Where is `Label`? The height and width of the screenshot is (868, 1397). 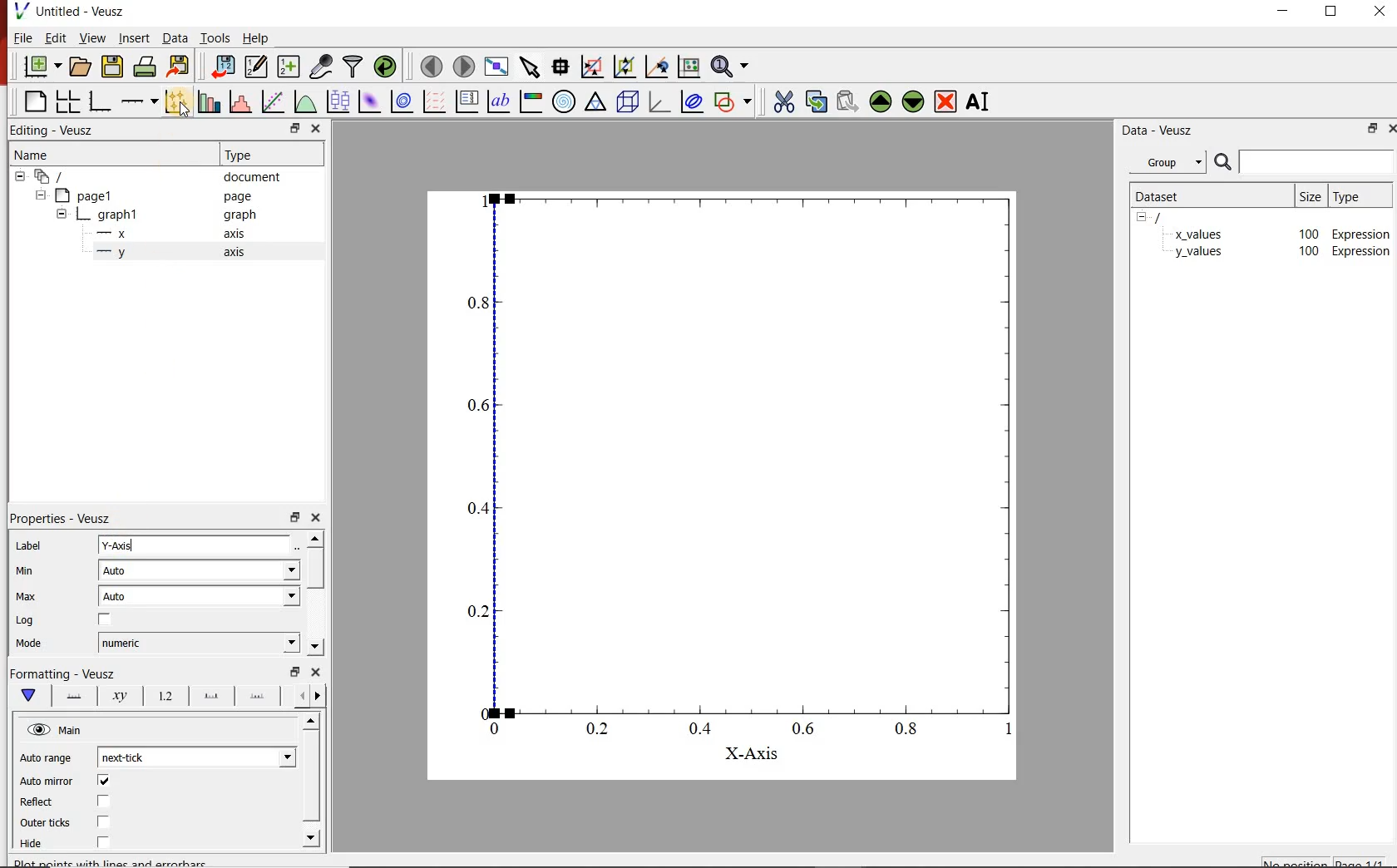 Label is located at coordinates (29, 546).